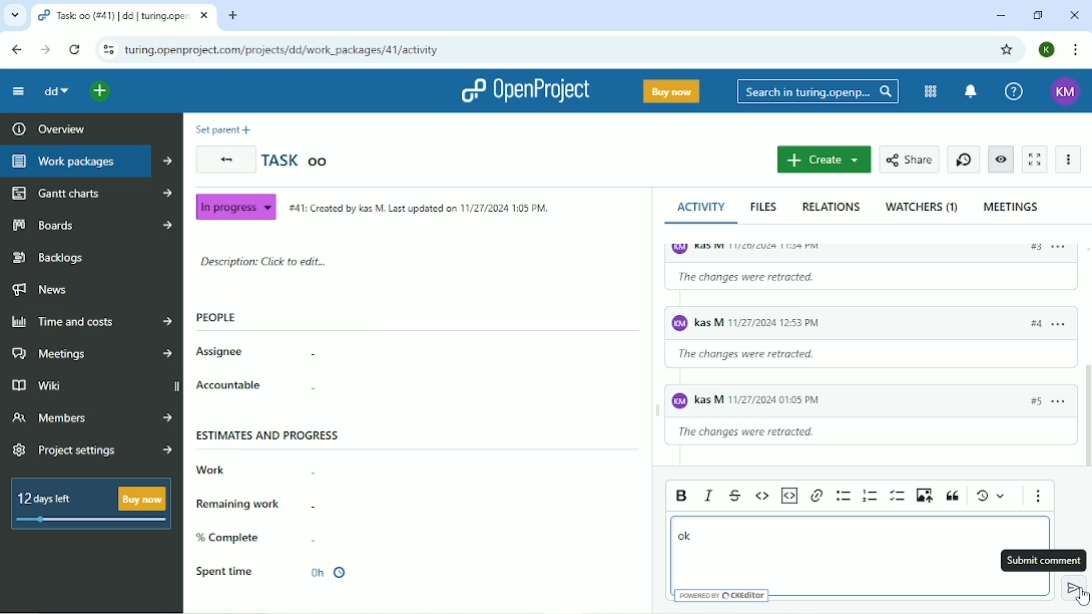 This screenshot has width=1092, height=614. What do you see at coordinates (685, 536) in the screenshot?
I see `ok` at bounding box center [685, 536].